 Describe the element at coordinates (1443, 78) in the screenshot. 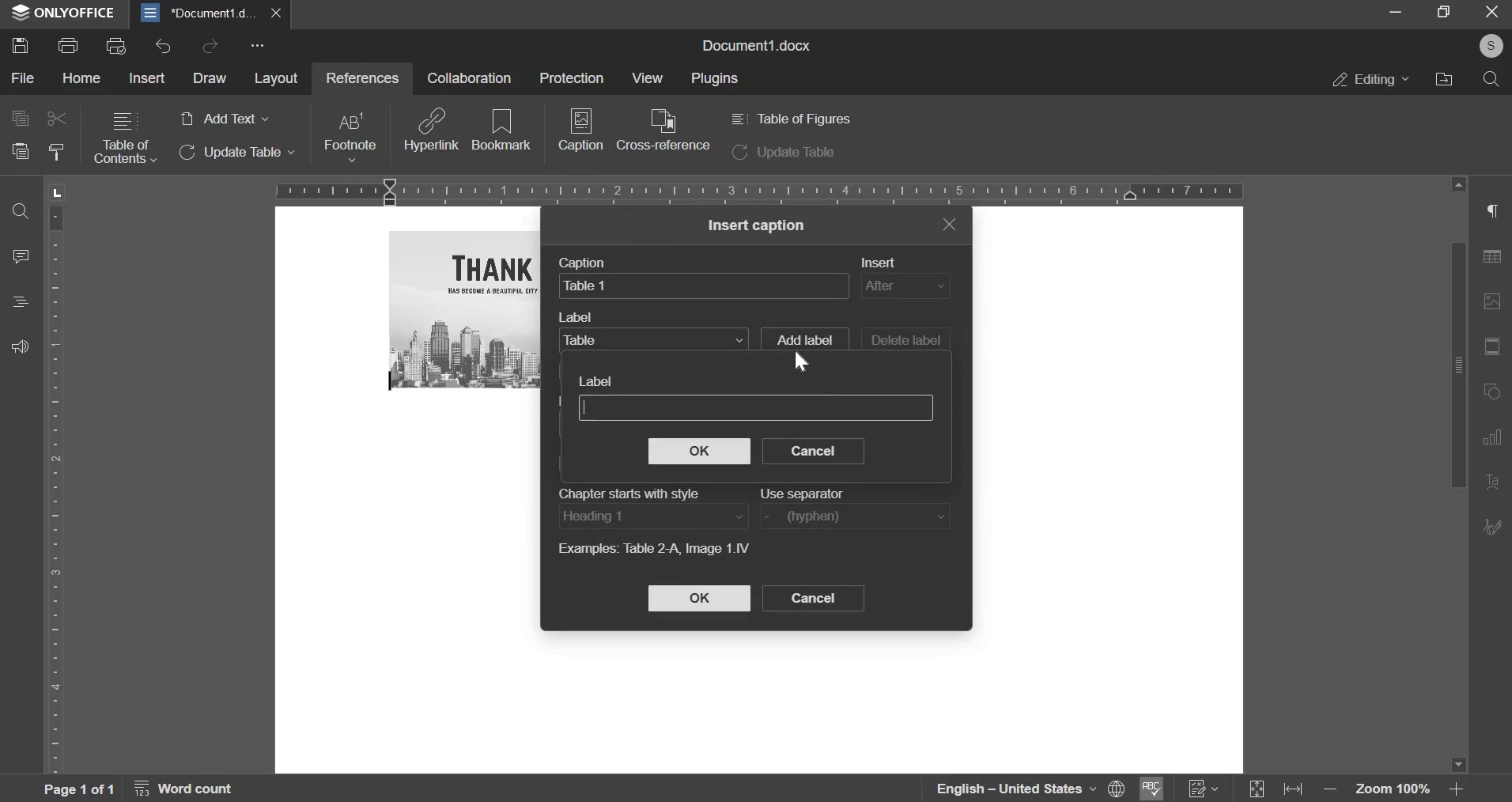

I see `file location` at that location.